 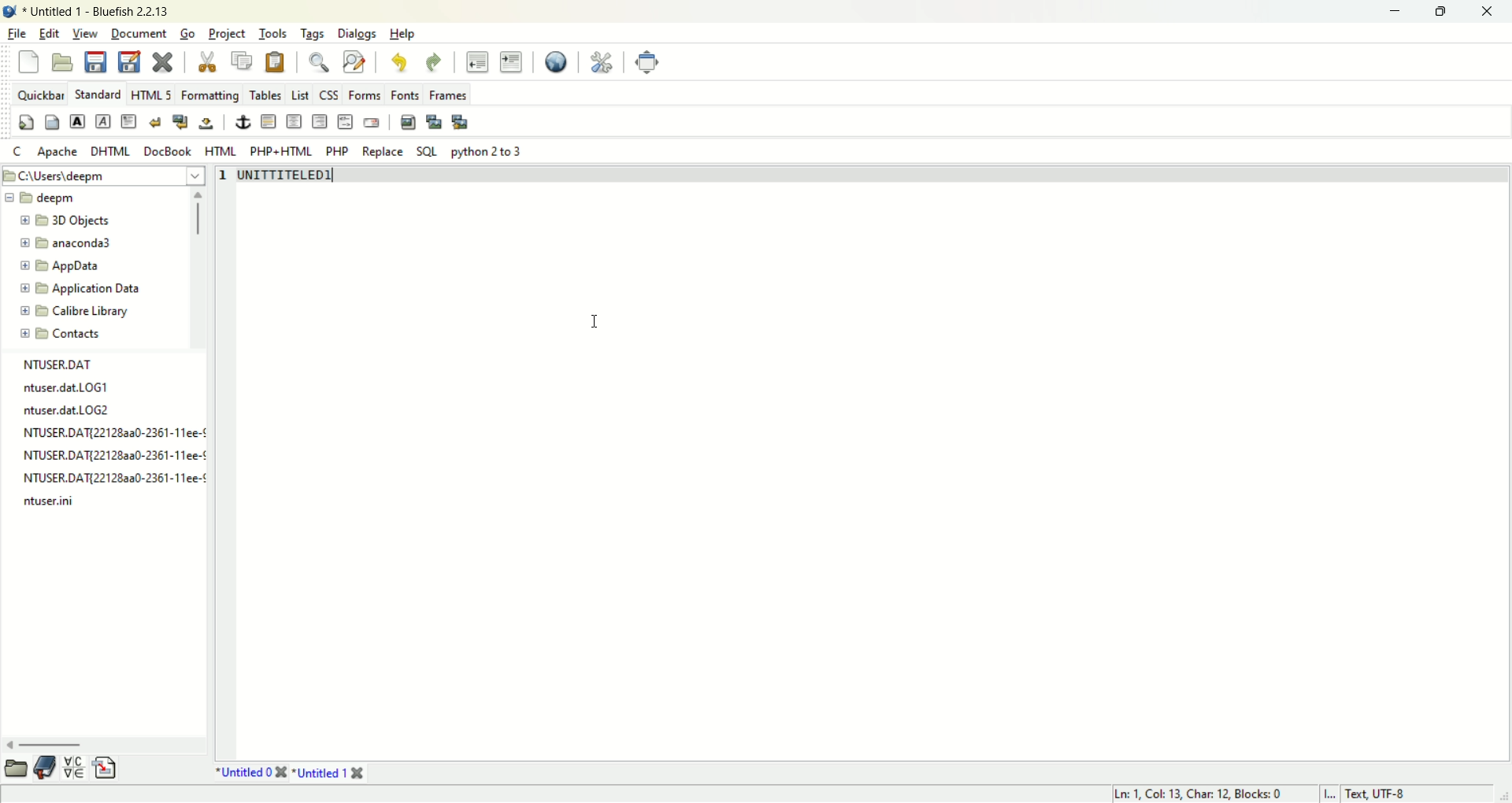 I want to click on body, so click(x=50, y=121).